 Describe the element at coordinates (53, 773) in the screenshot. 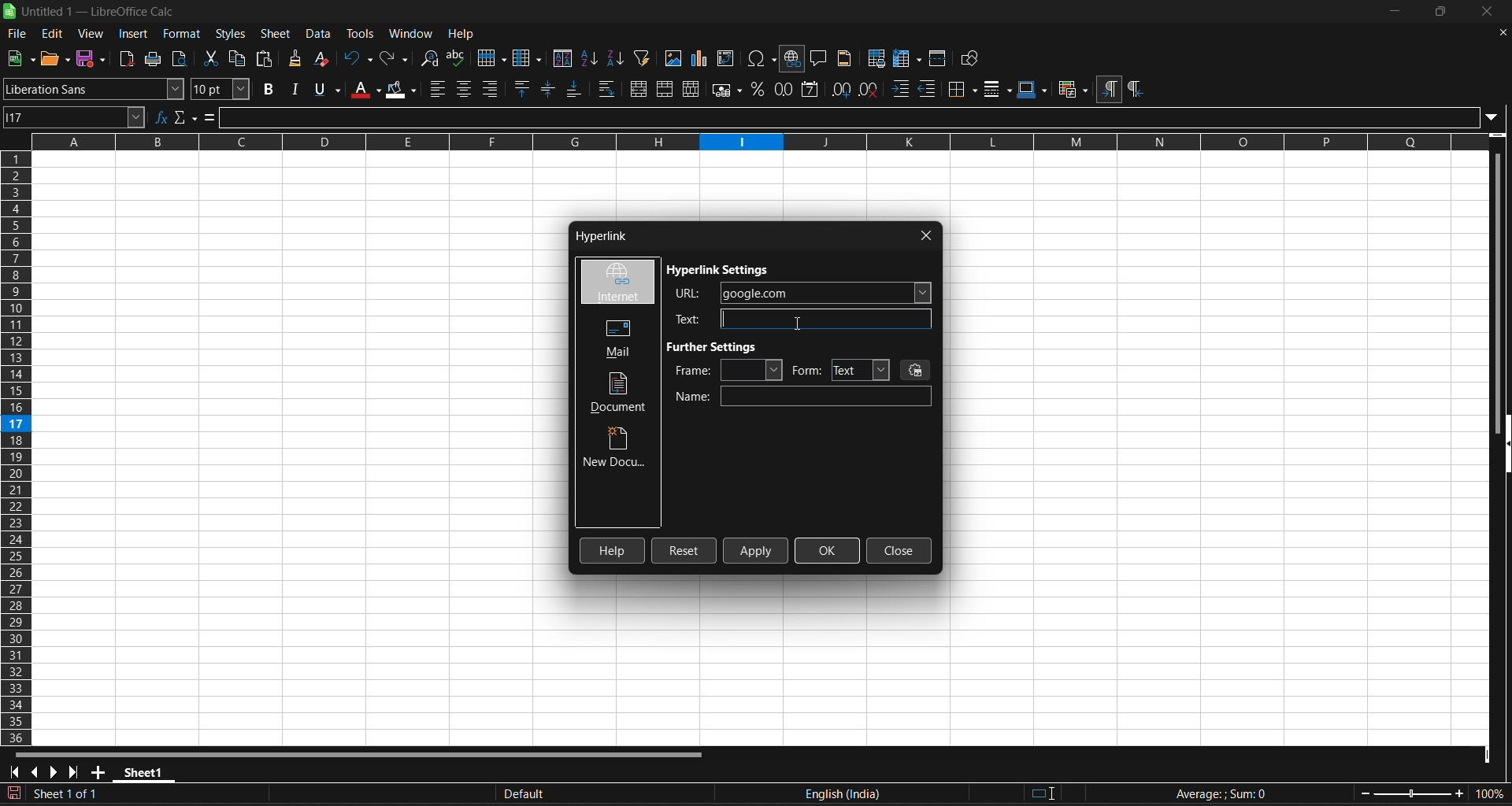

I see `scroll to next sheet ` at that location.